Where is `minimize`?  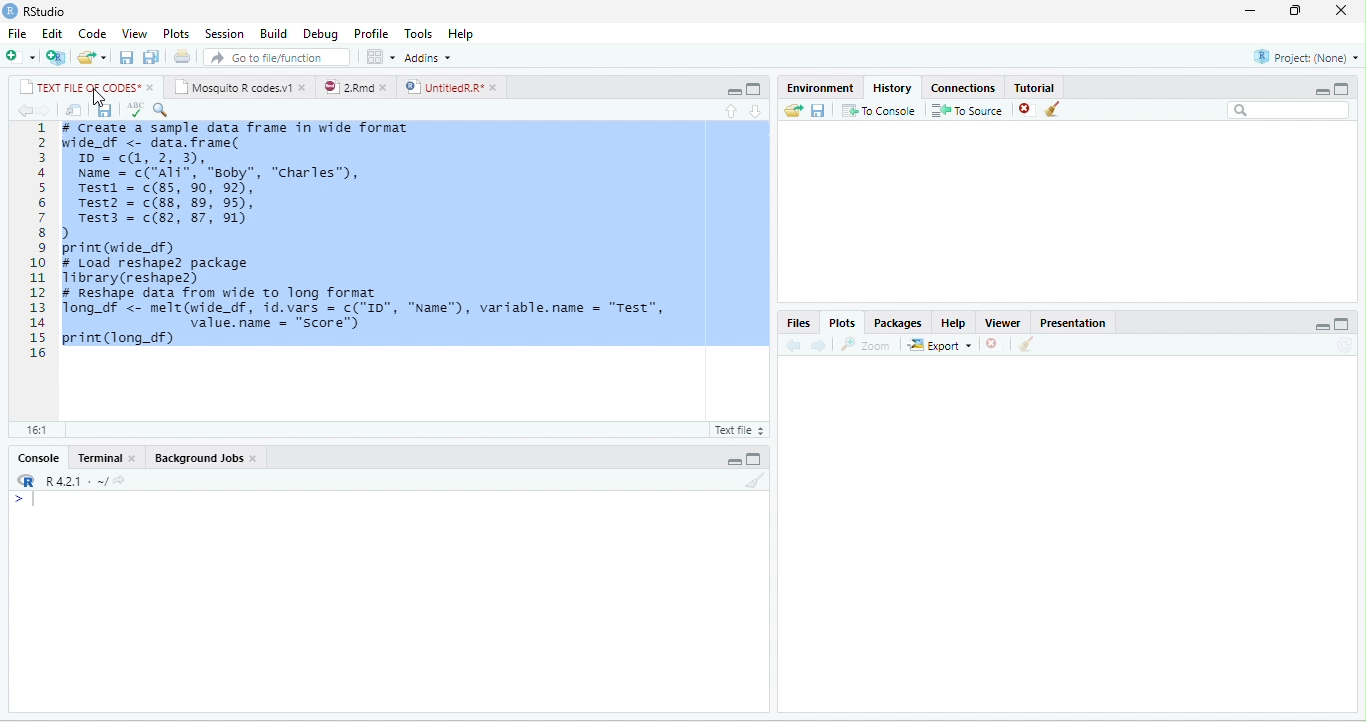
minimize is located at coordinates (1323, 91).